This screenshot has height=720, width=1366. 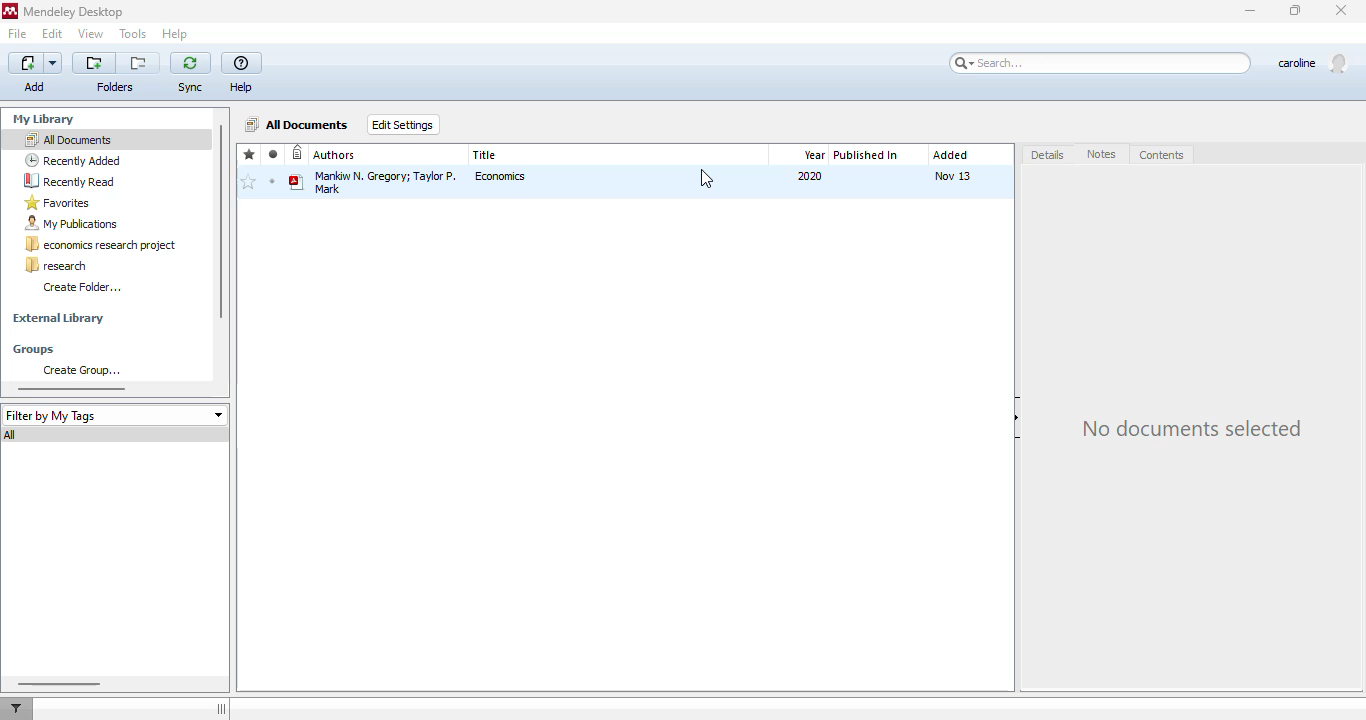 What do you see at coordinates (17, 34) in the screenshot?
I see `file` at bounding box center [17, 34].